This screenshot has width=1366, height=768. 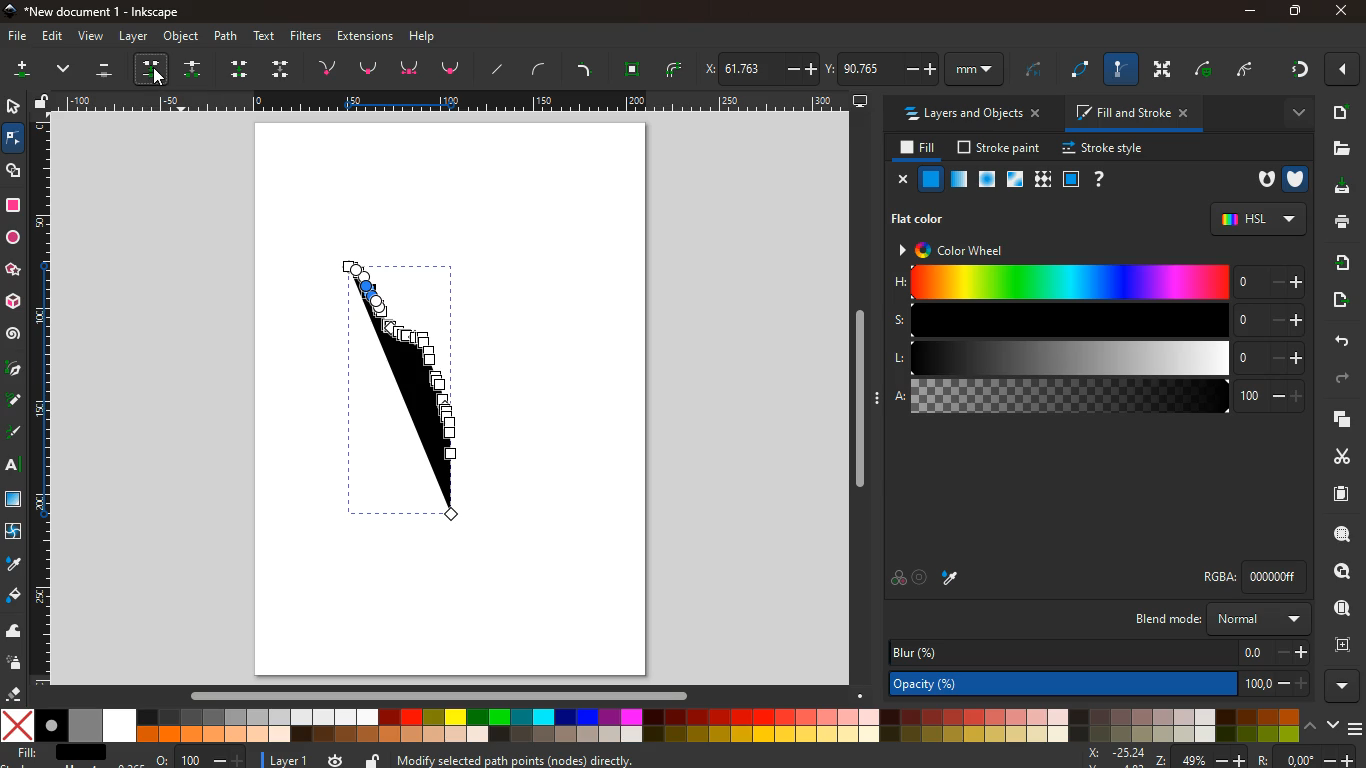 I want to click on texture, so click(x=1042, y=179).